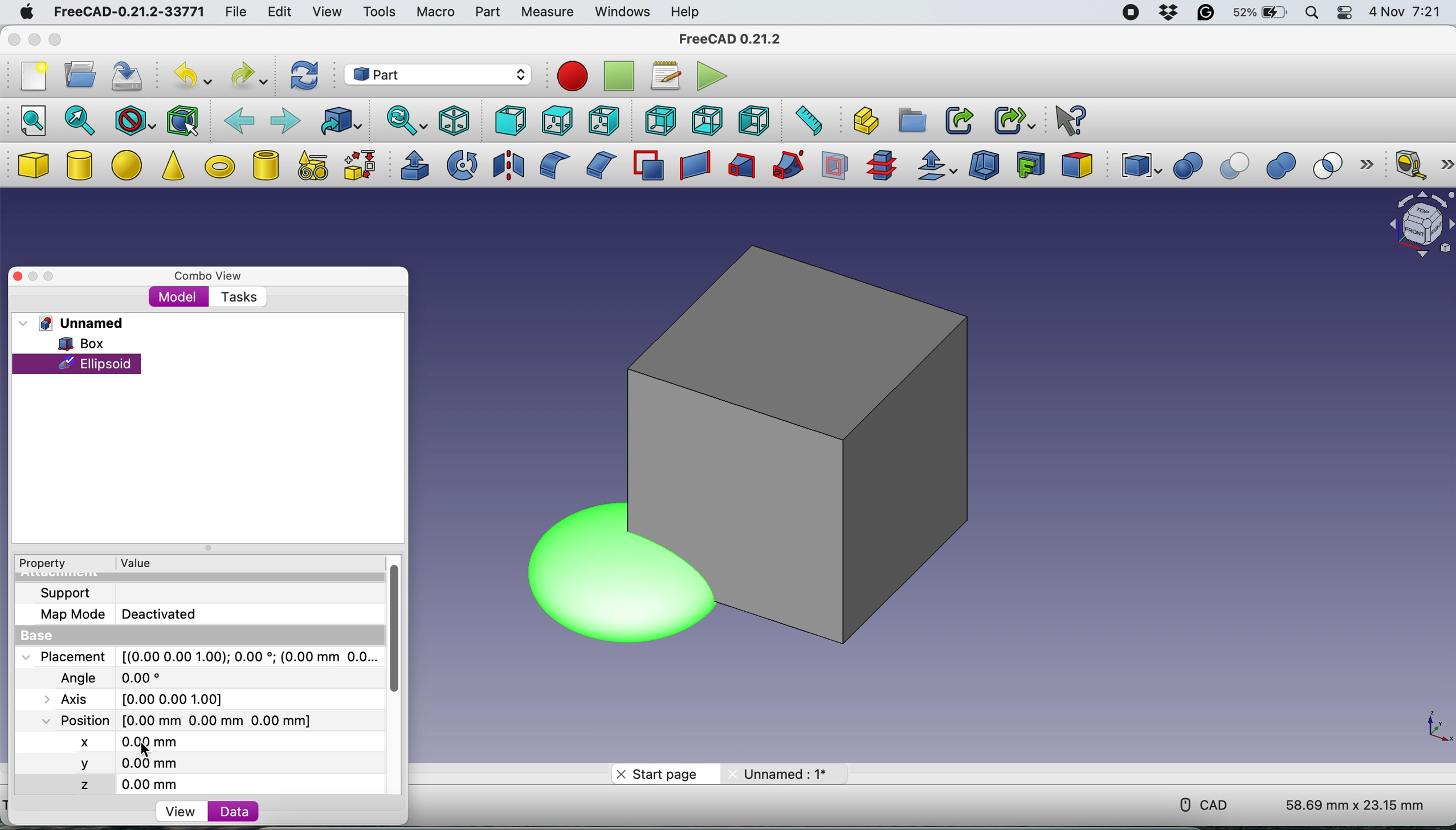  I want to click on cad, so click(1200, 805).